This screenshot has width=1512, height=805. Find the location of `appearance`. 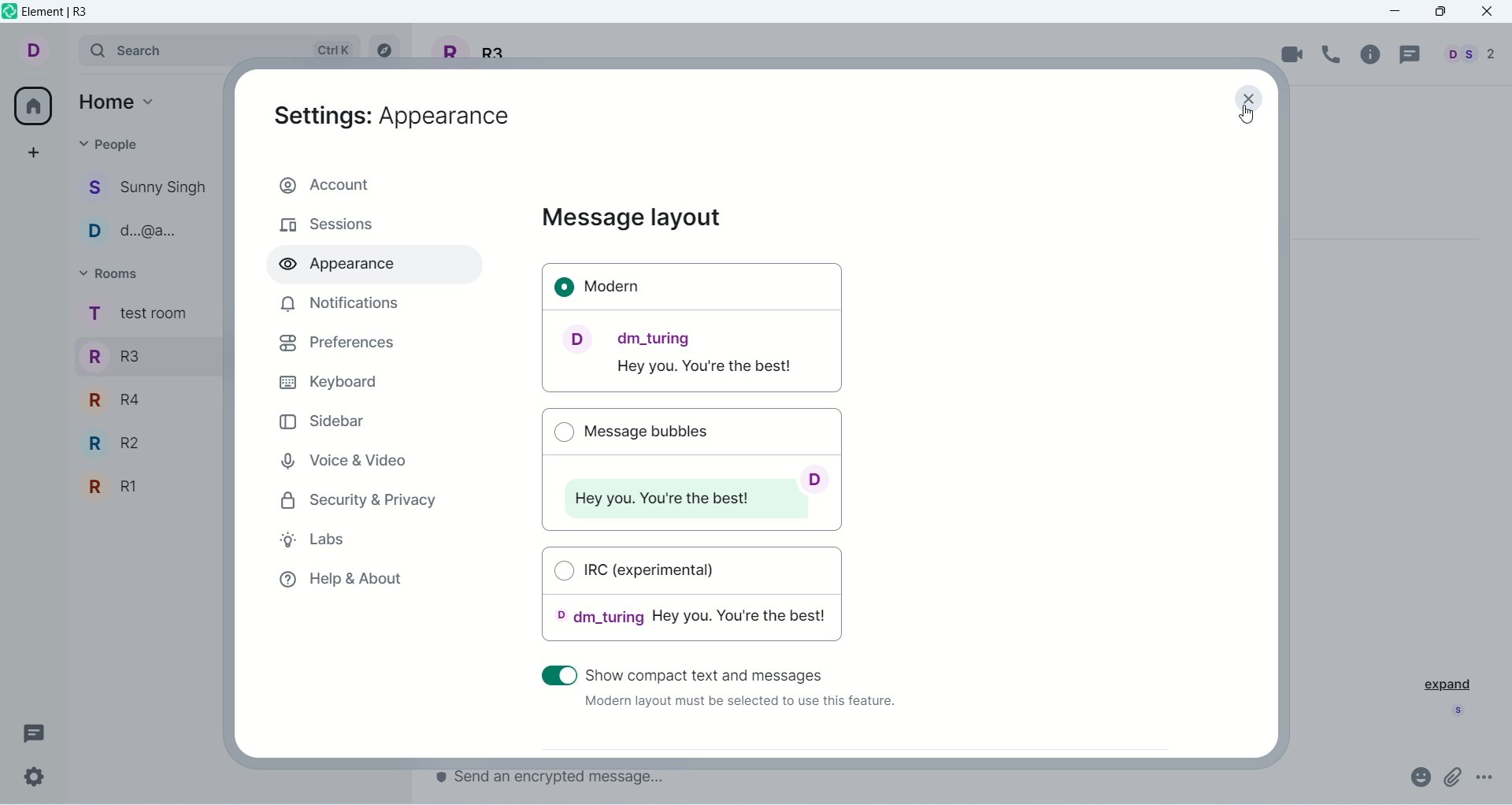

appearance is located at coordinates (344, 267).